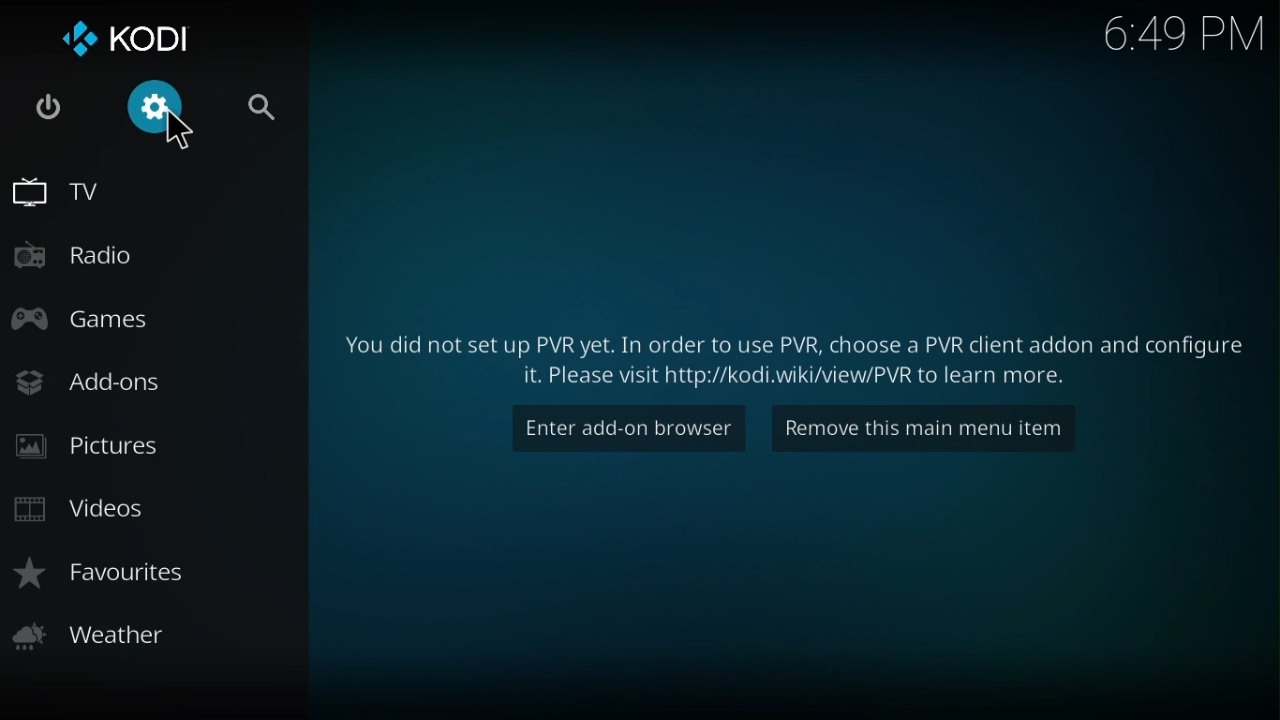 Image resolution: width=1280 pixels, height=720 pixels. Describe the element at coordinates (86, 259) in the screenshot. I see `Radio` at that location.